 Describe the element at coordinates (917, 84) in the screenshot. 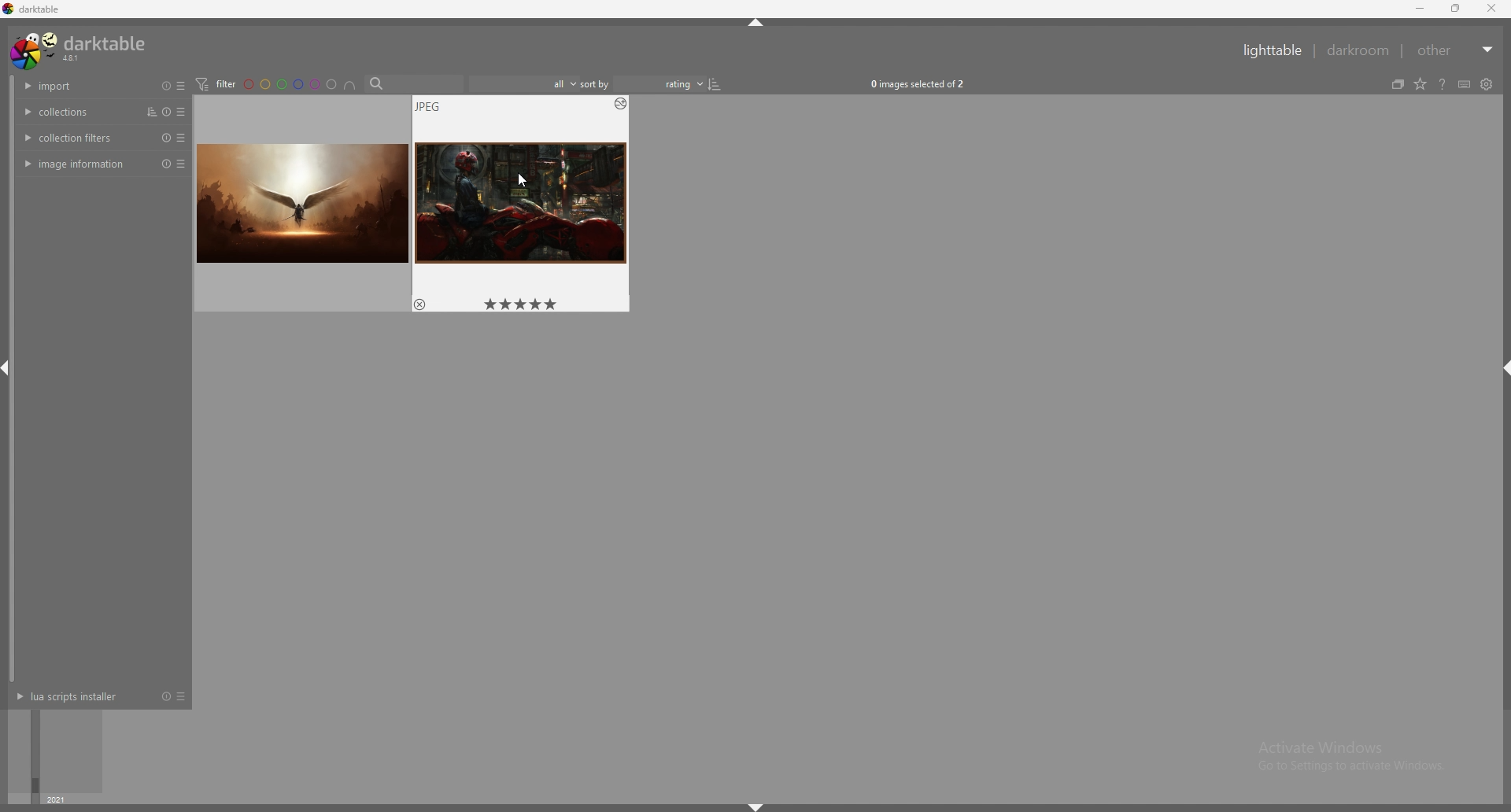

I see `0 images selected OF 2` at that location.